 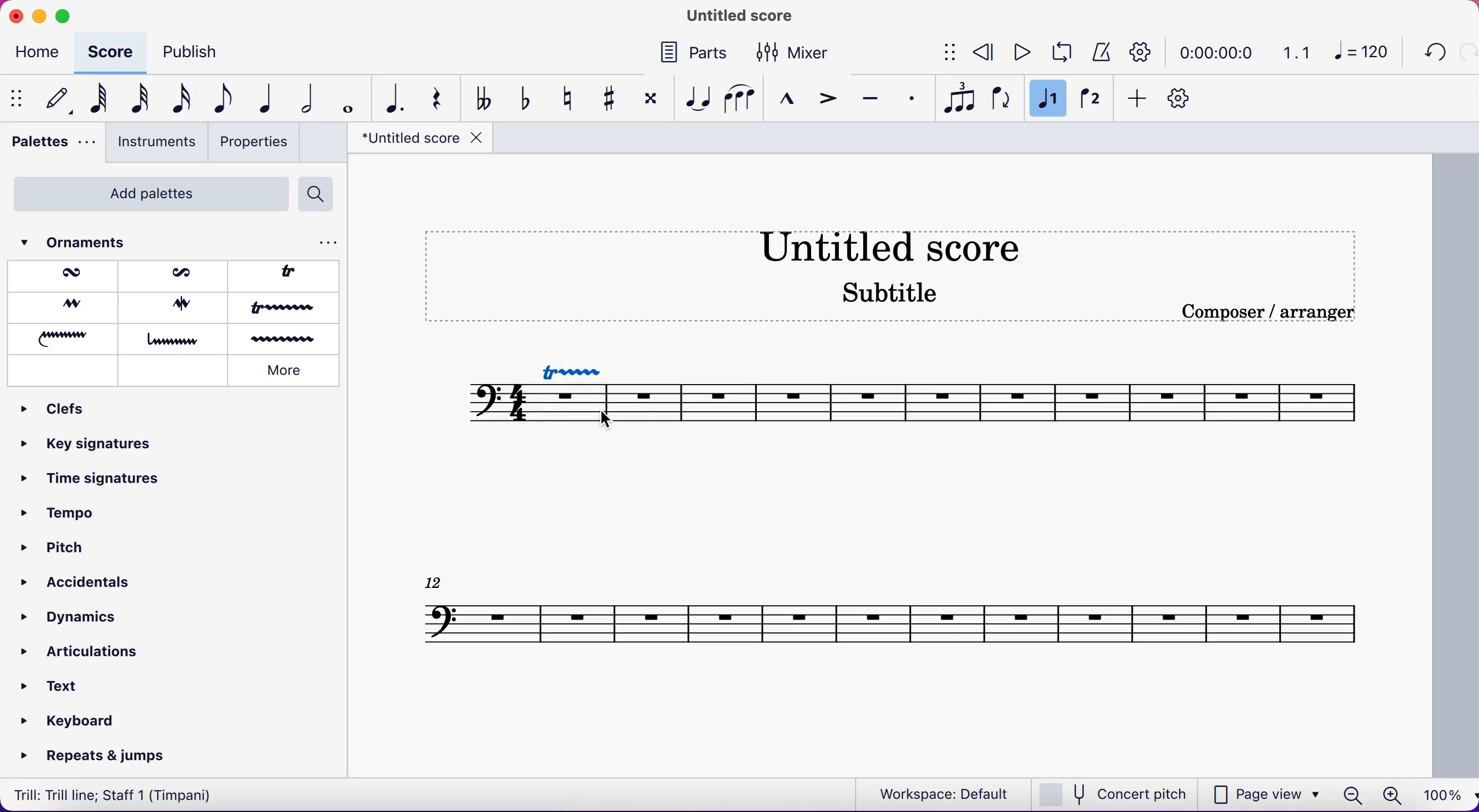 What do you see at coordinates (222, 100) in the screenshot?
I see `eight note` at bounding box center [222, 100].